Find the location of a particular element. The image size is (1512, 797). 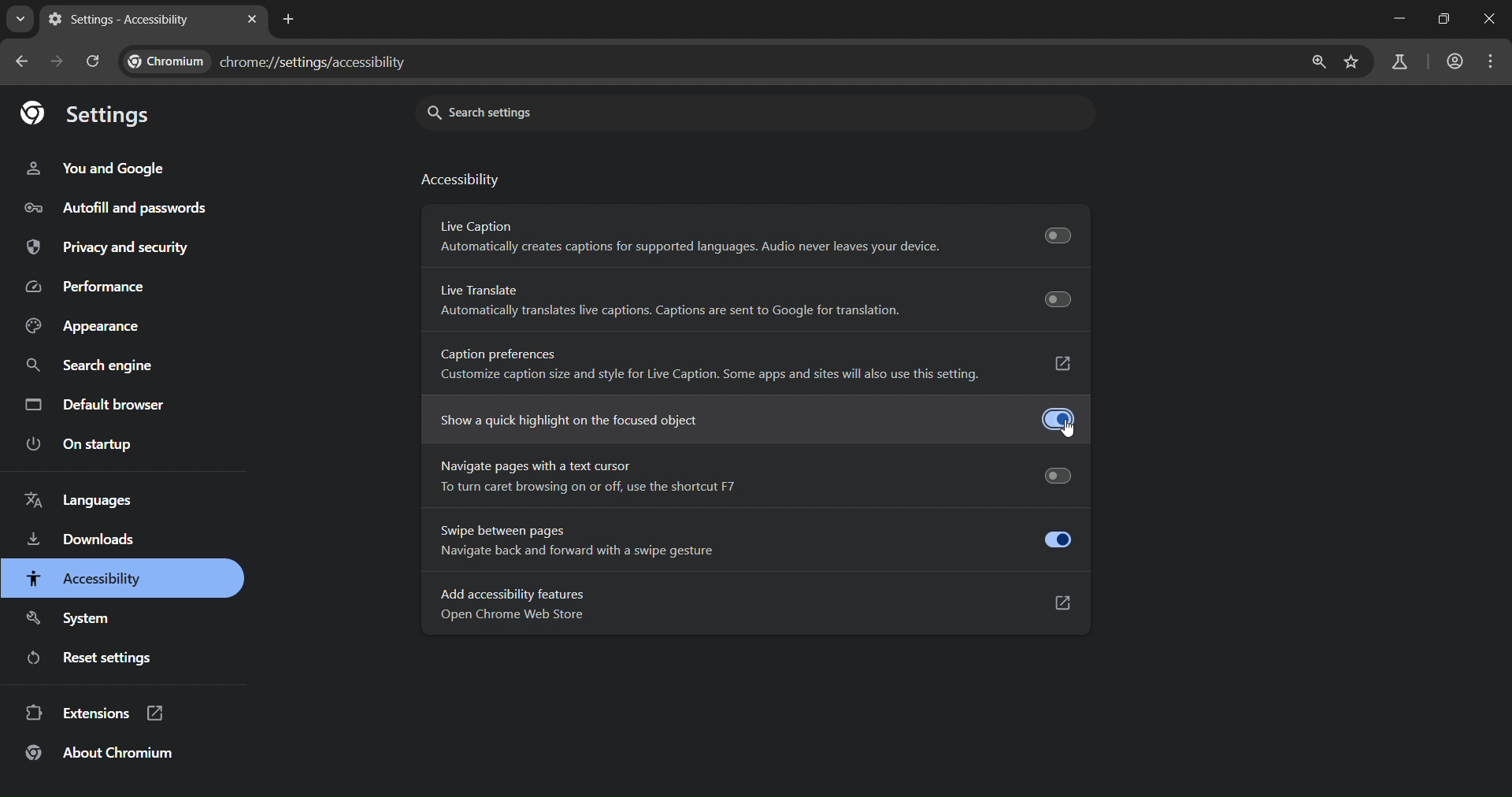

search labs is located at coordinates (1398, 61).